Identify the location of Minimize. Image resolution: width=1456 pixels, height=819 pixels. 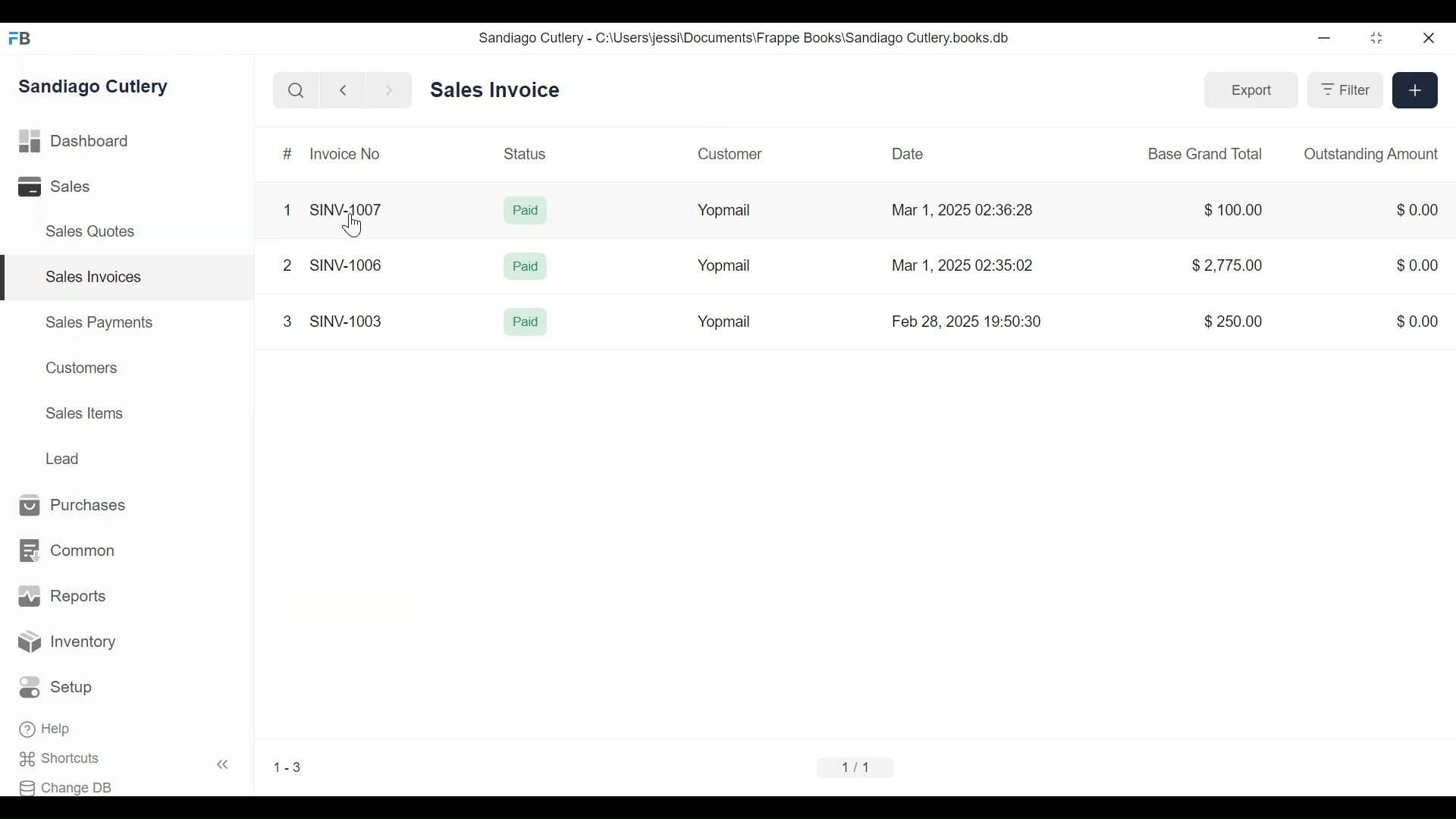
(1323, 38).